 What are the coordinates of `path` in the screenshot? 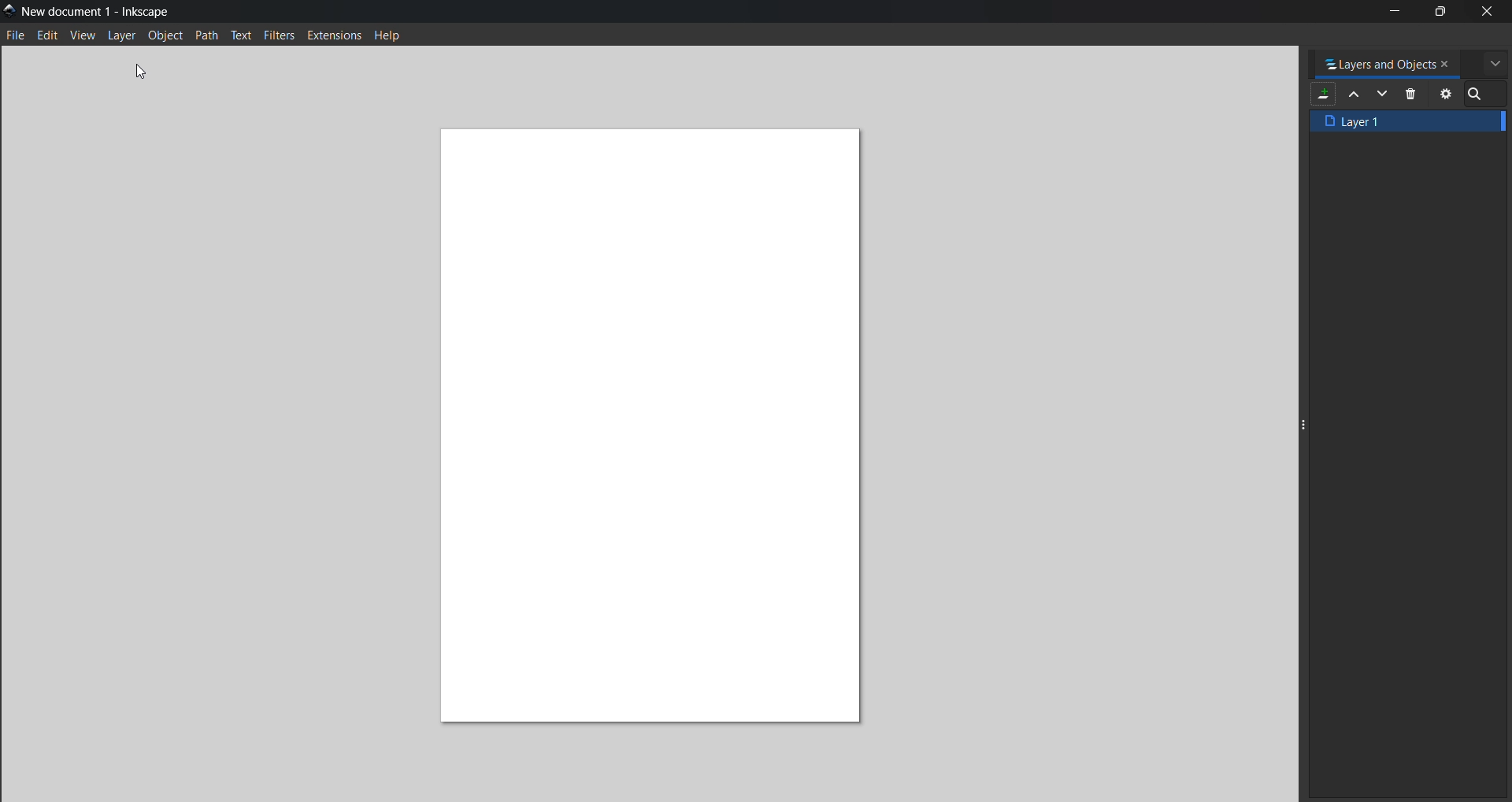 It's located at (209, 36).